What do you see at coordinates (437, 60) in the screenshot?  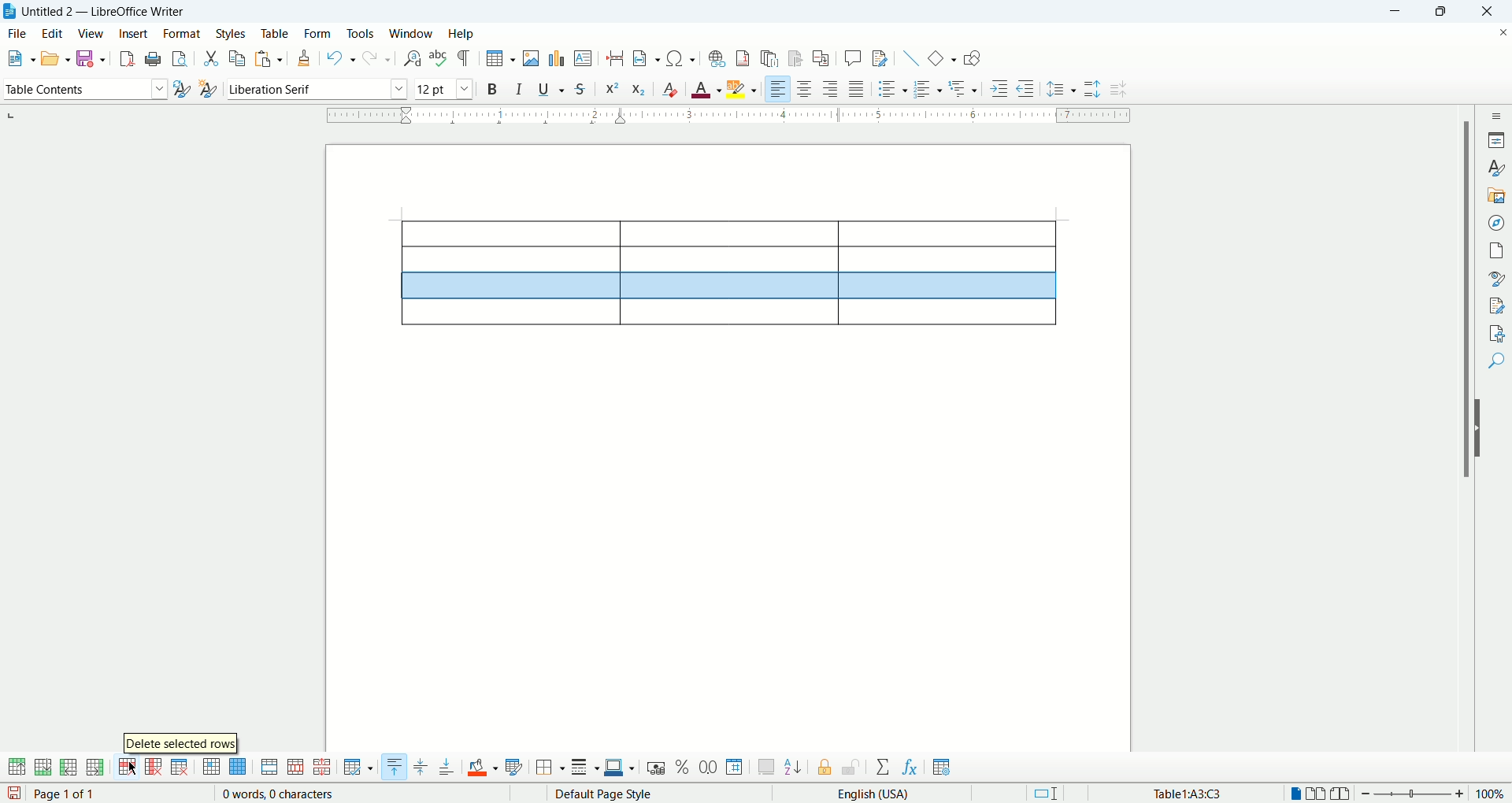 I see `spelling` at bounding box center [437, 60].